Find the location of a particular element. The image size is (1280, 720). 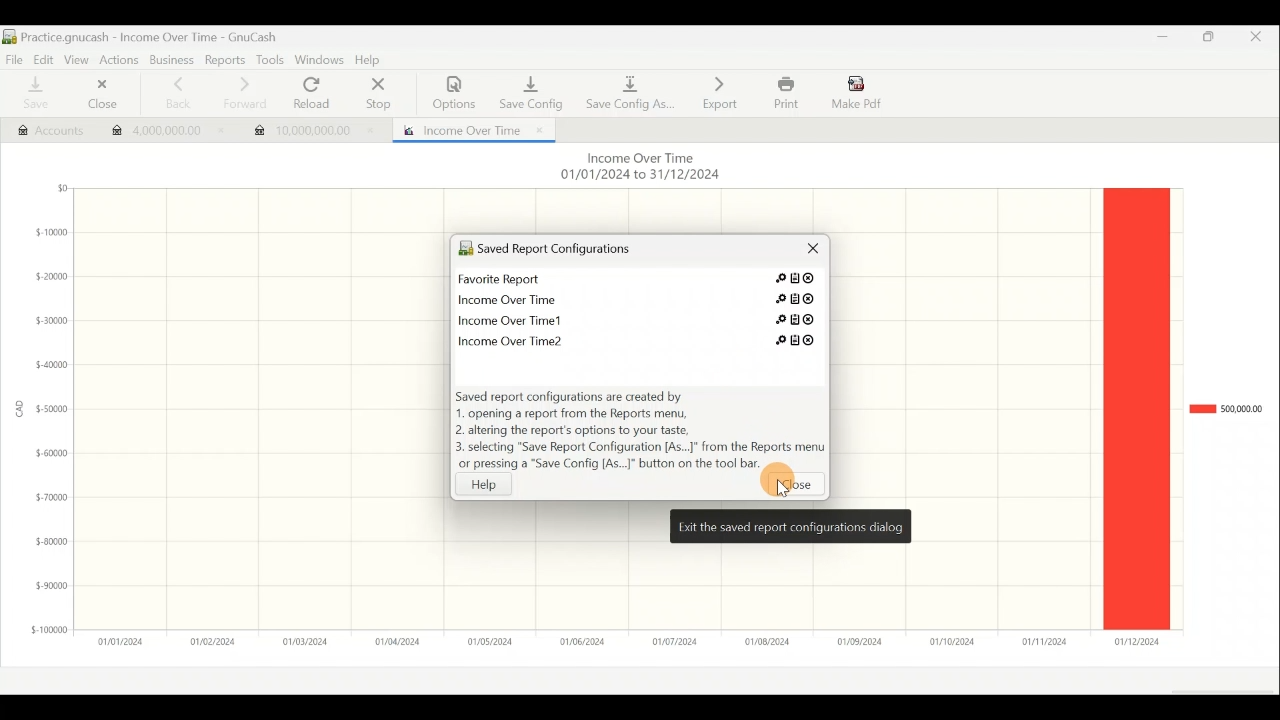

Stop is located at coordinates (376, 95).